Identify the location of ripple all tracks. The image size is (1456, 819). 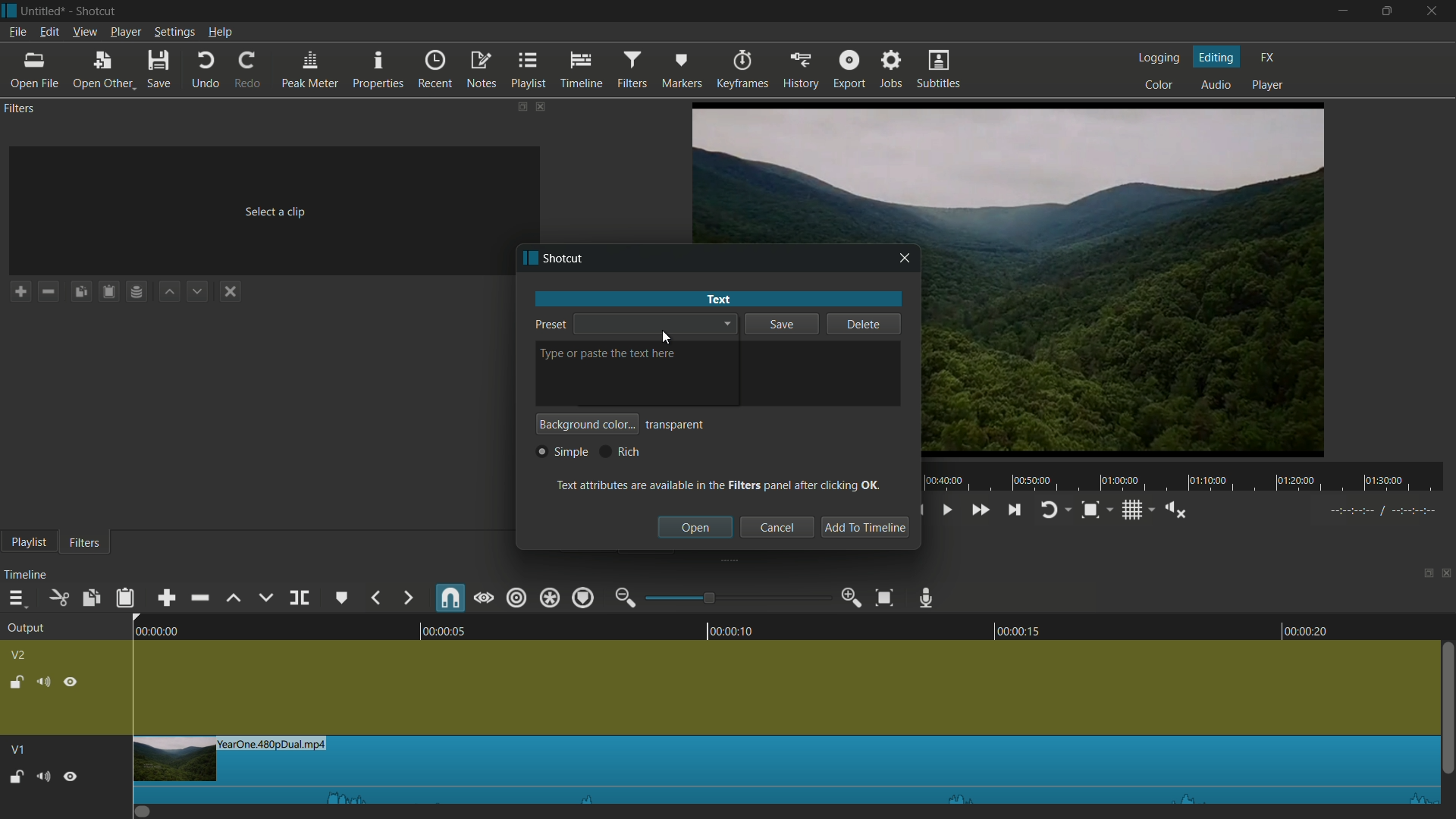
(549, 598).